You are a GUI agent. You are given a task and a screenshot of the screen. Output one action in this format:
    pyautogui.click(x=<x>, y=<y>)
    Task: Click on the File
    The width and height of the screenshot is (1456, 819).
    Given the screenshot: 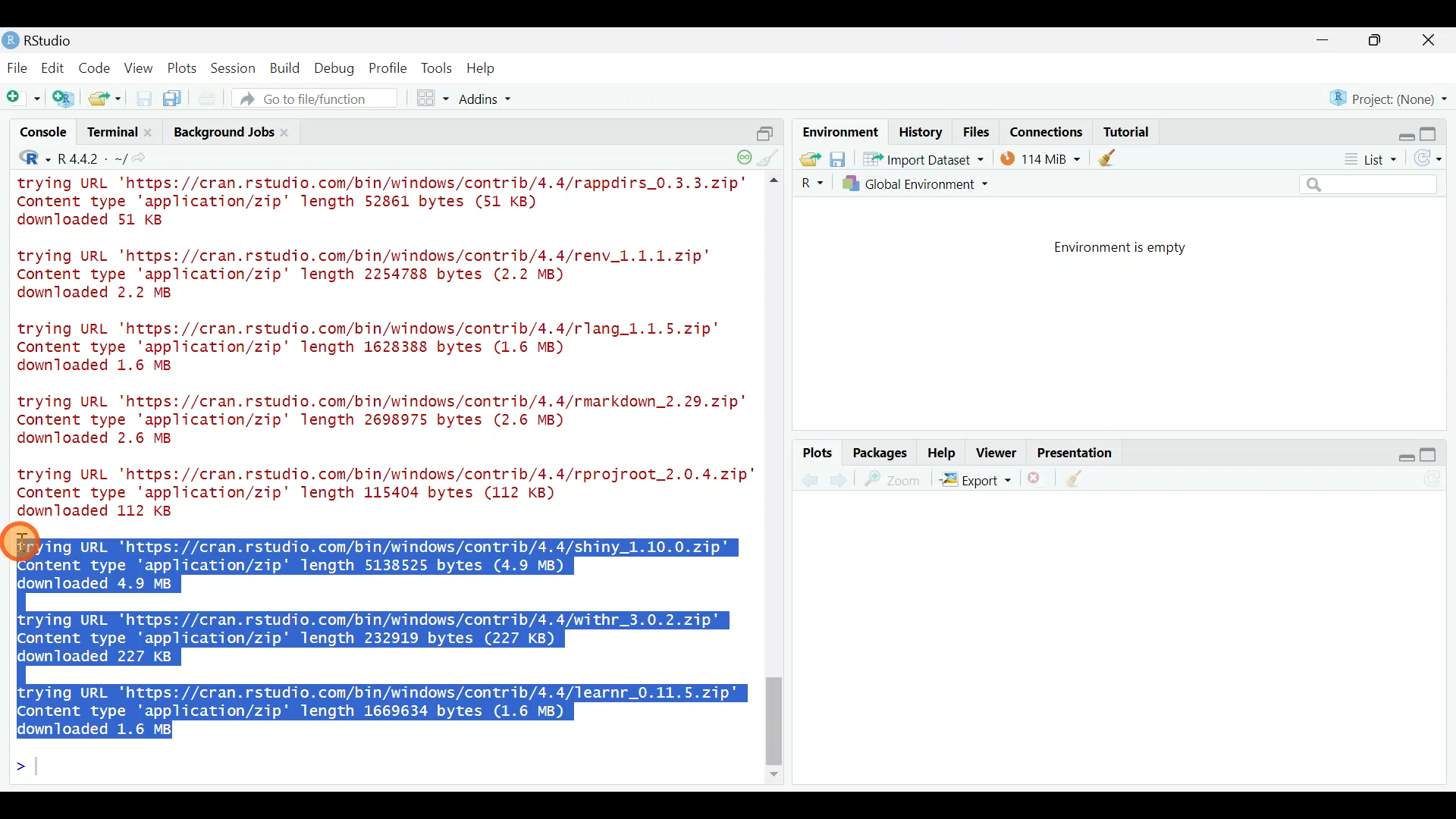 What is the action you would take?
    pyautogui.click(x=17, y=67)
    